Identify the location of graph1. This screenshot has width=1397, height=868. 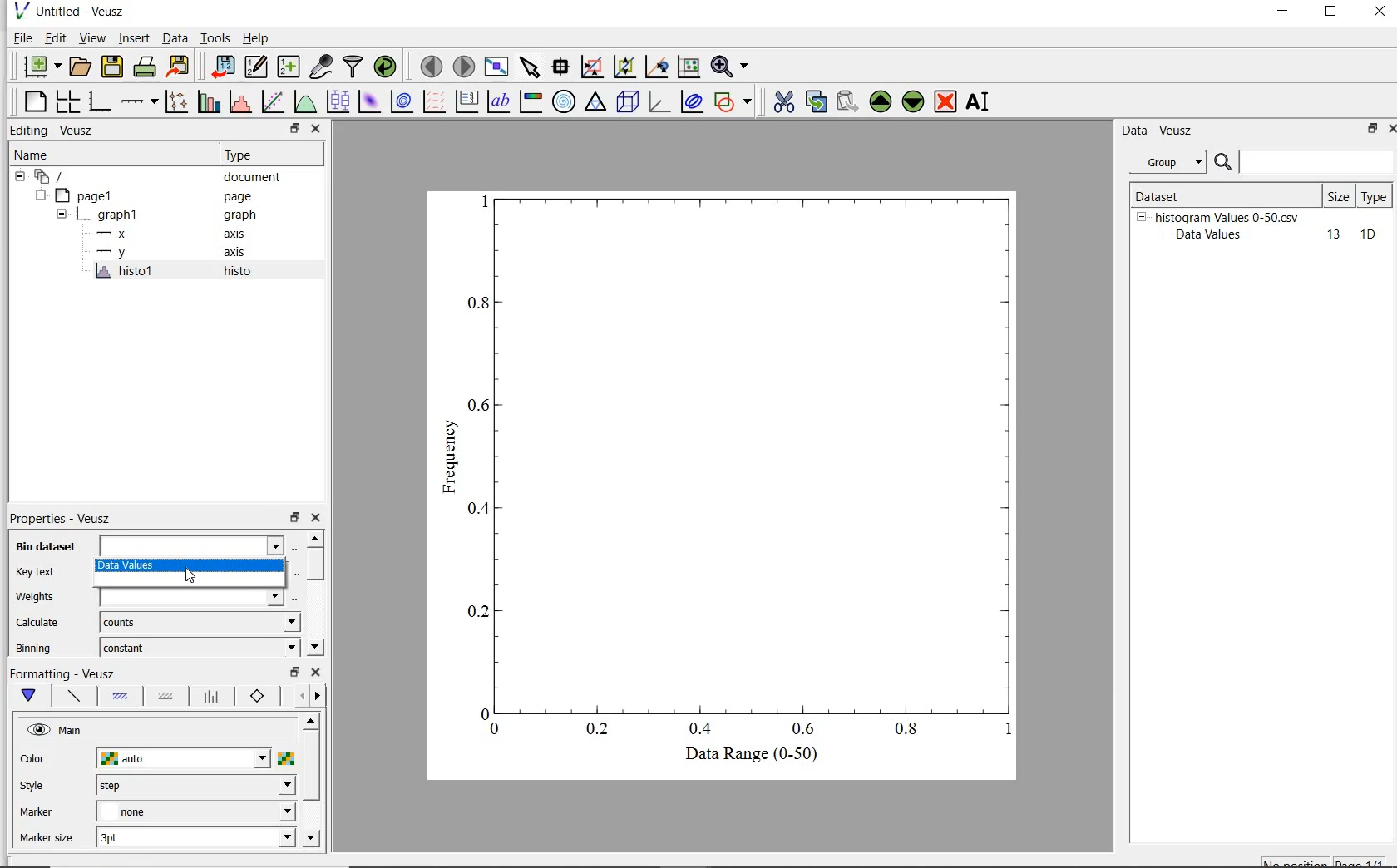
(111, 217).